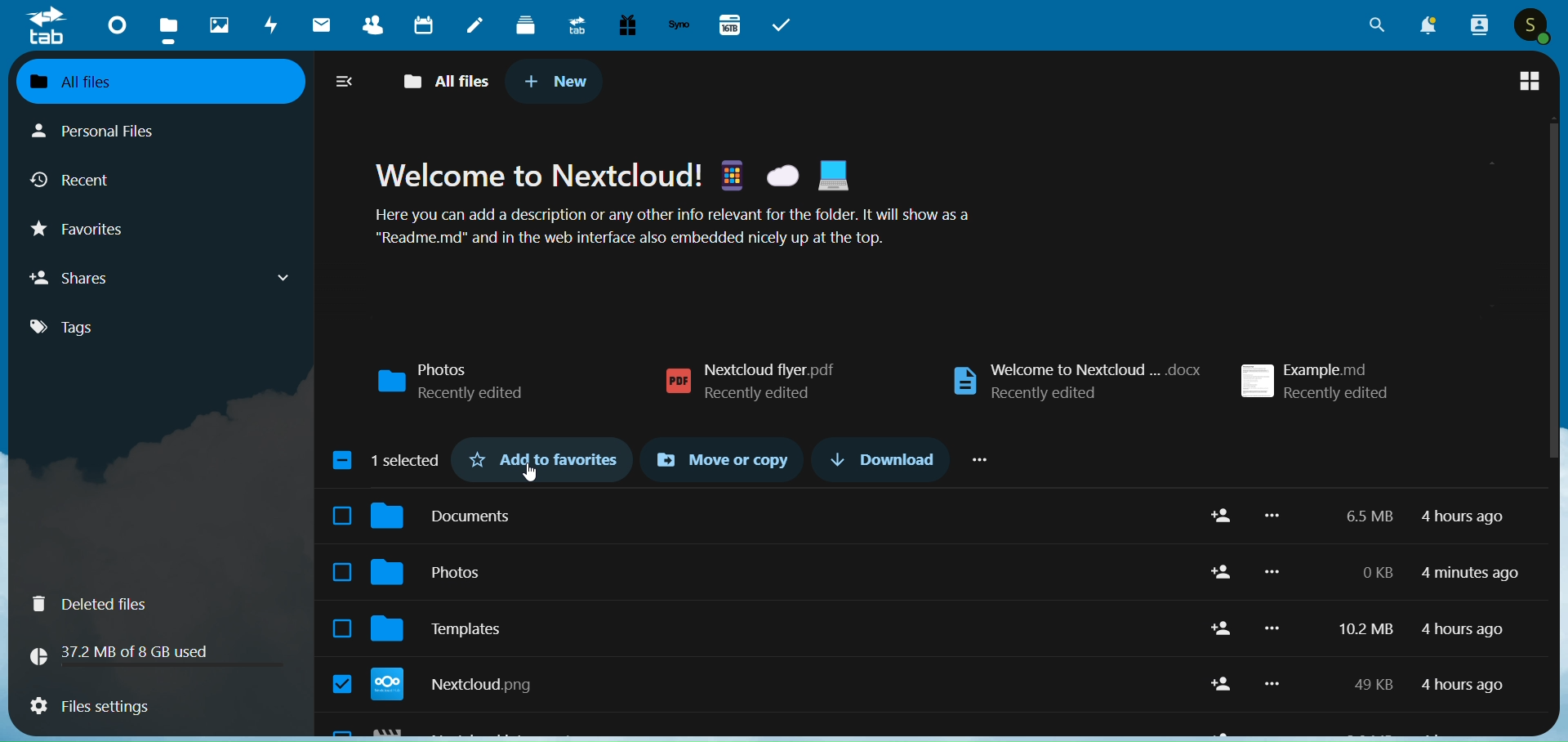 The height and width of the screenshot is (742, 1568). I want to click on Welcome to Nextcloud!, so click(538, 174).